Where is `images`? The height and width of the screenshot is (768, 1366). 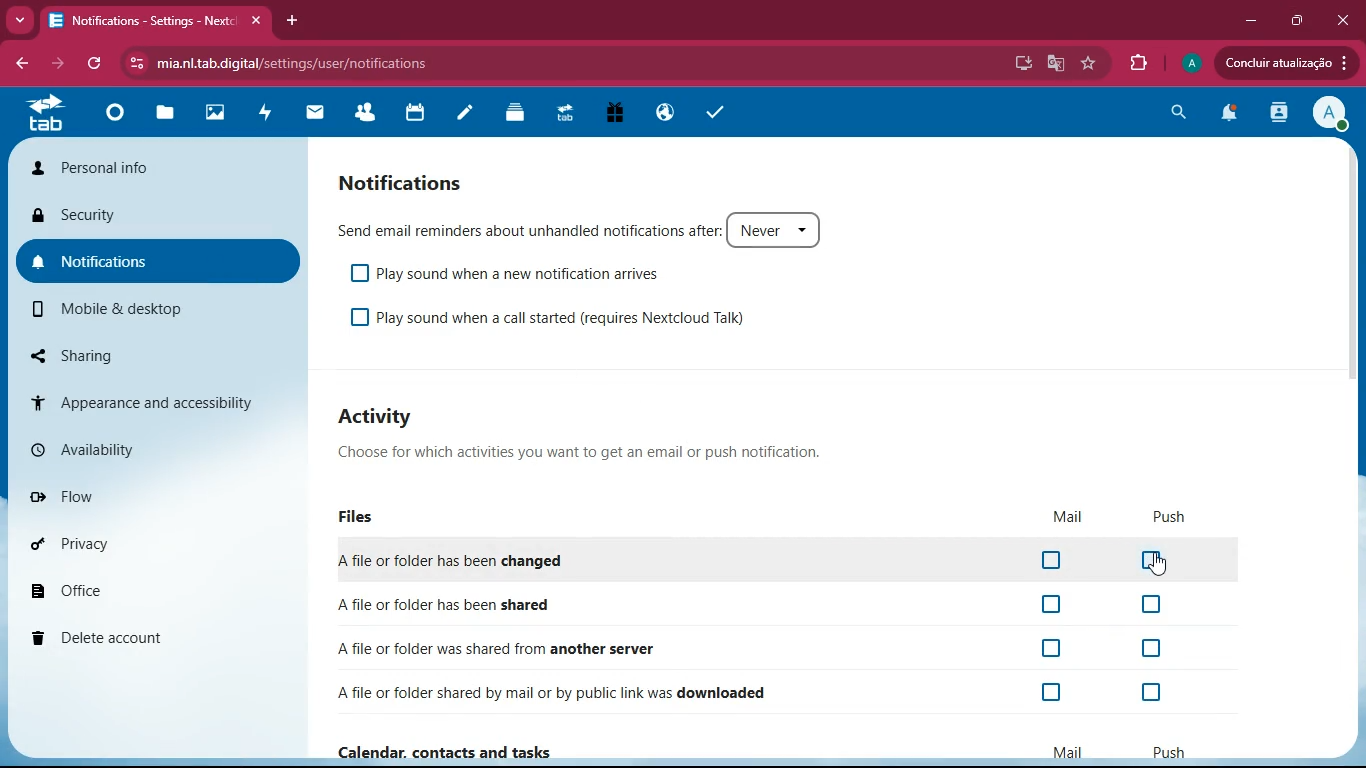 images is located at coordinates (217, 111).